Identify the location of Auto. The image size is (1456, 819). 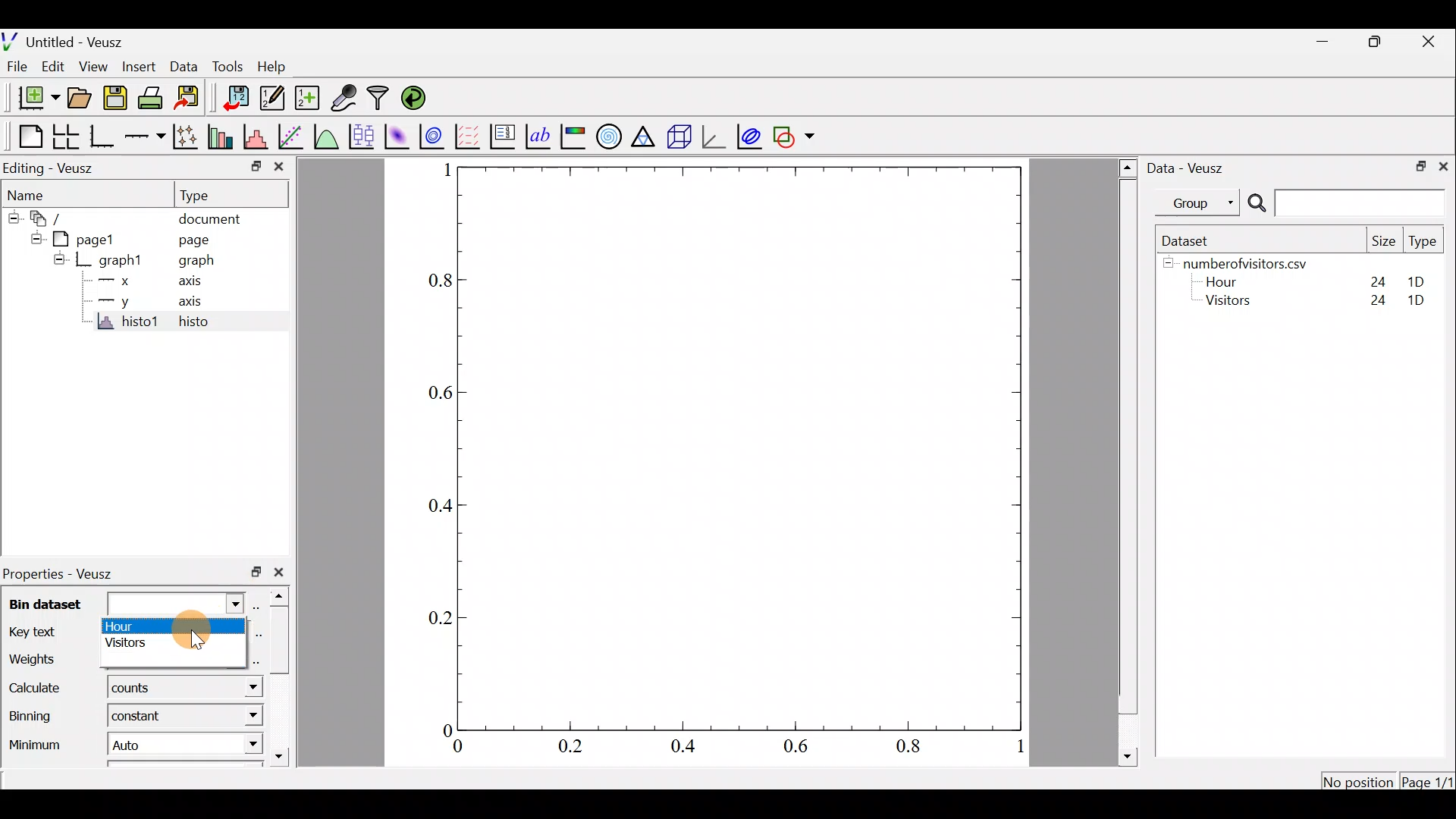
(144, 744).